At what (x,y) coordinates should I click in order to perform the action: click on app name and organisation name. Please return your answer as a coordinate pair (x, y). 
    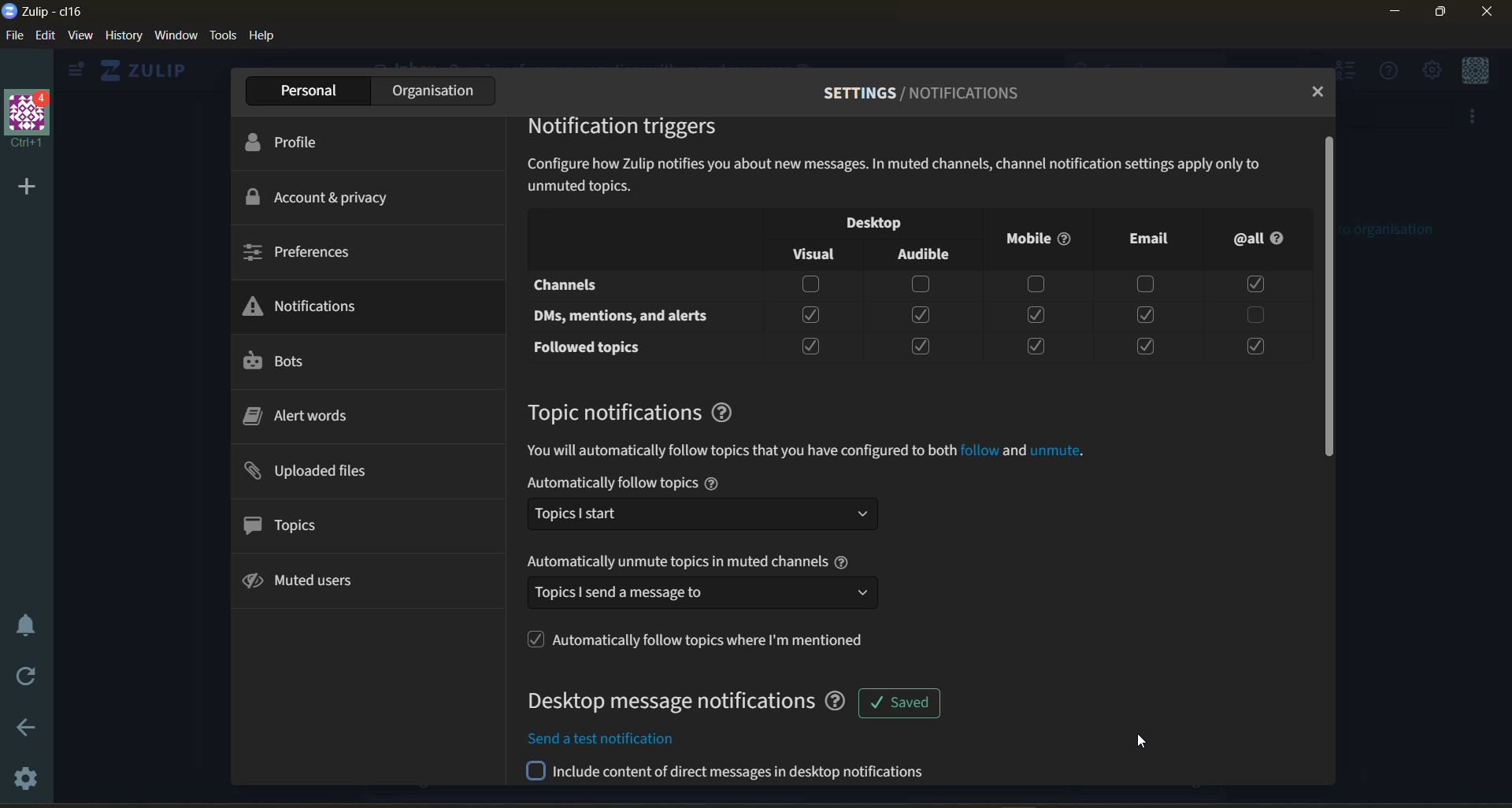
    Looking at the image, I should click on (58, 11).